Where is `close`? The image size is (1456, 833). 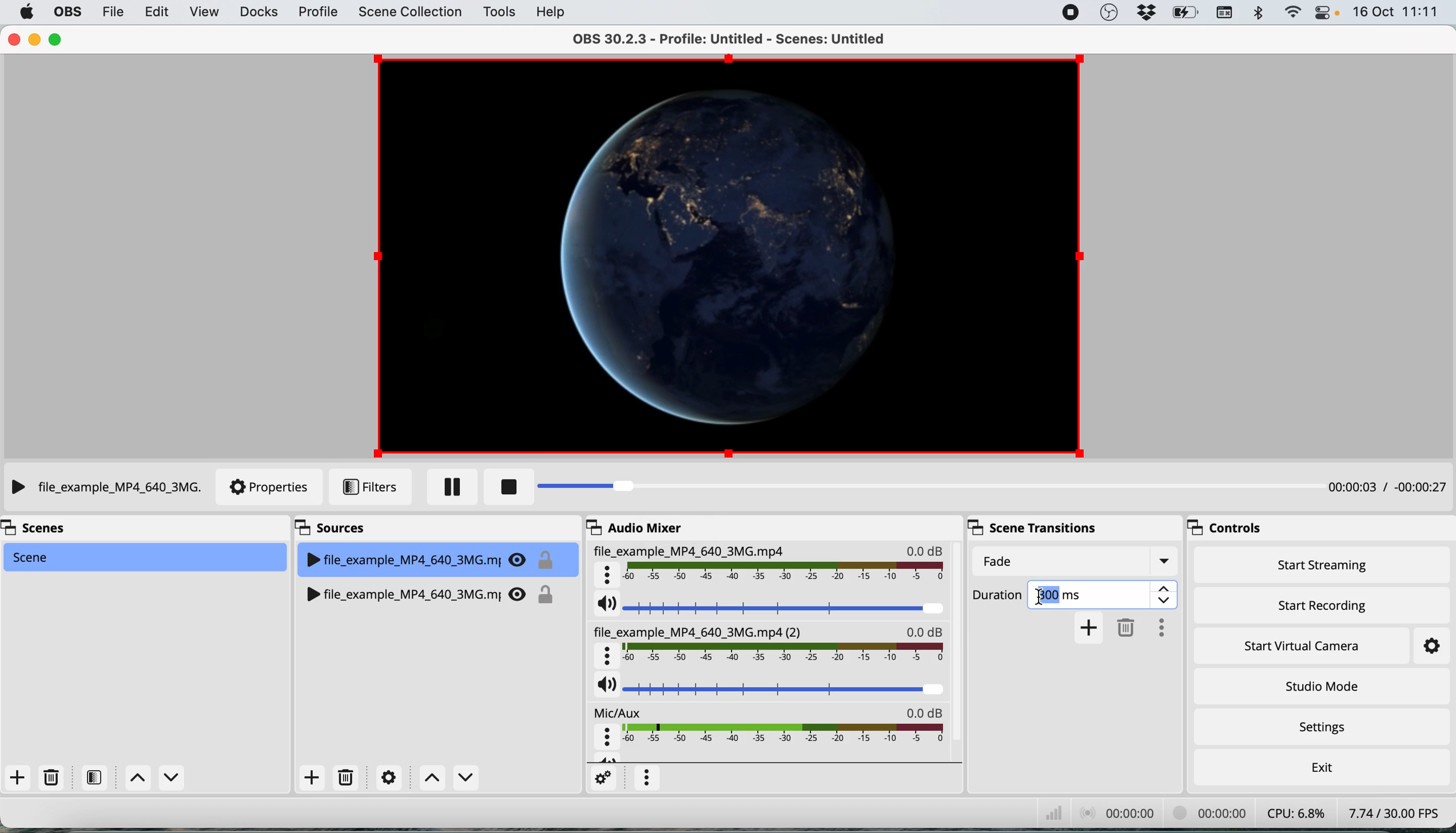 close is located at coordinates (13, 38).